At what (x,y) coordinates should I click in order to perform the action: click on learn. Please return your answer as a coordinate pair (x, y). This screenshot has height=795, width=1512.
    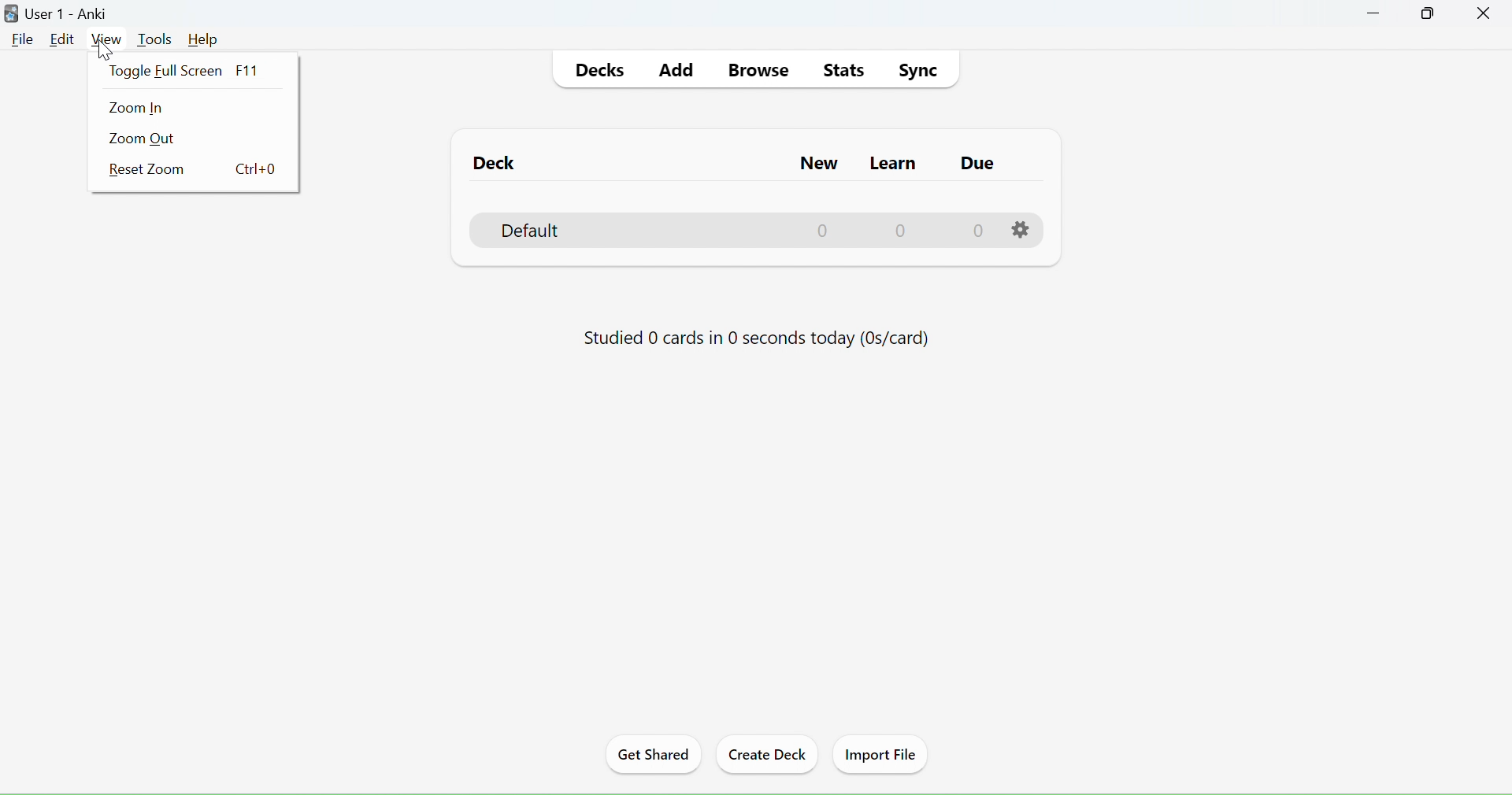
    Looking at the image, I should click on (892, 198).